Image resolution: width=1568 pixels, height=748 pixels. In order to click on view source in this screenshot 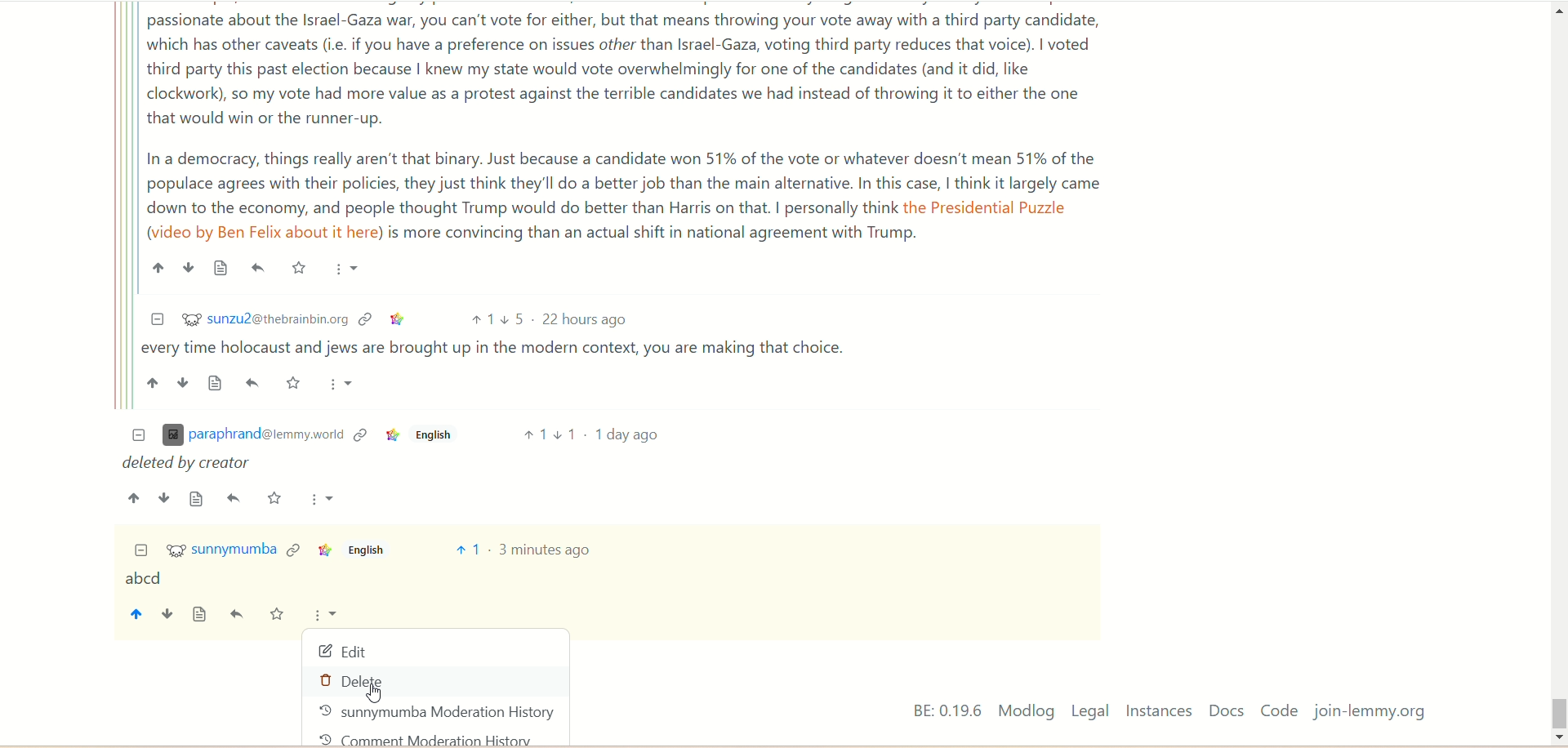, I will do `click(200, 615)`.